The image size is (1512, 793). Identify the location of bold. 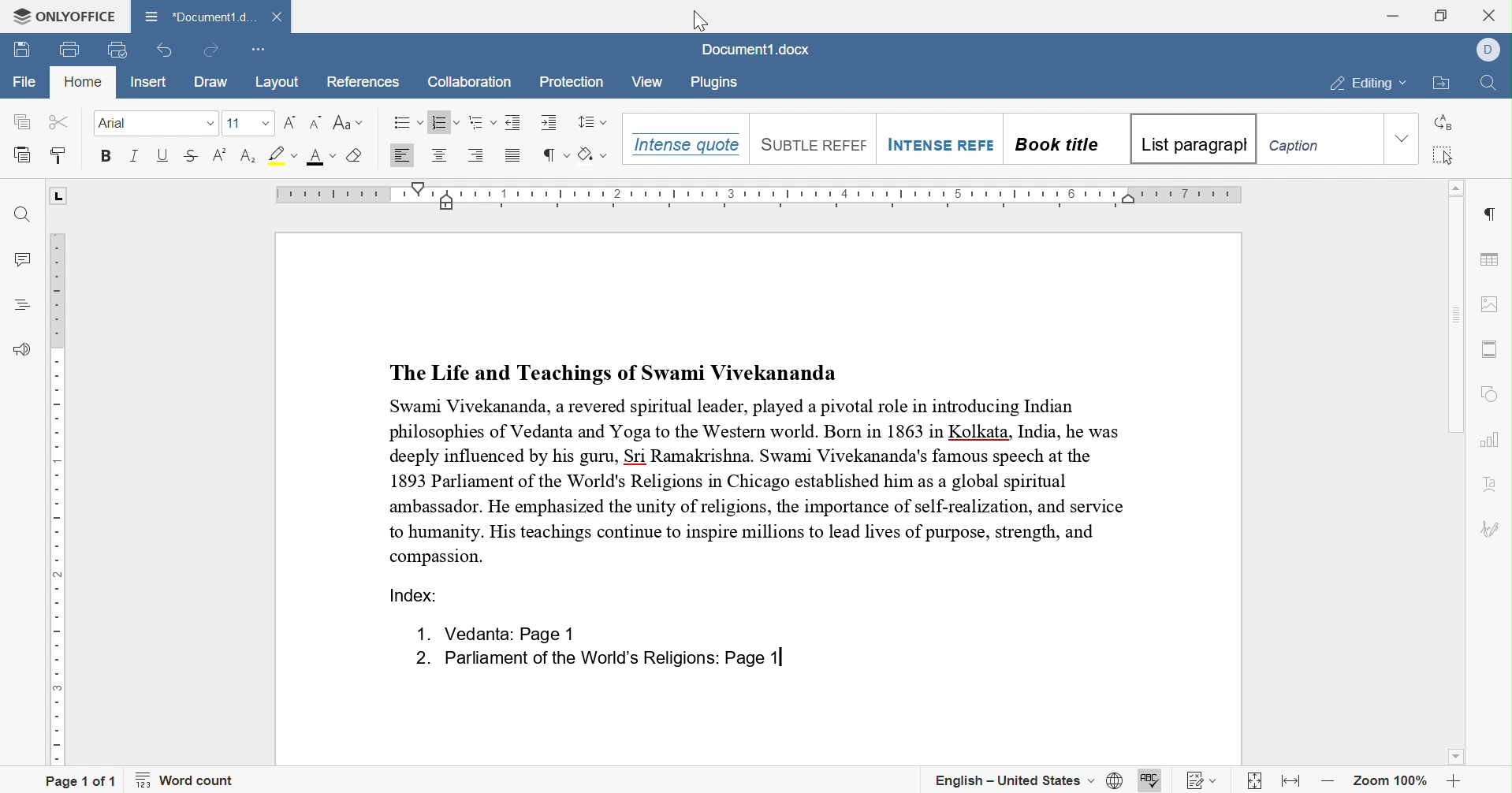
(104, 155).